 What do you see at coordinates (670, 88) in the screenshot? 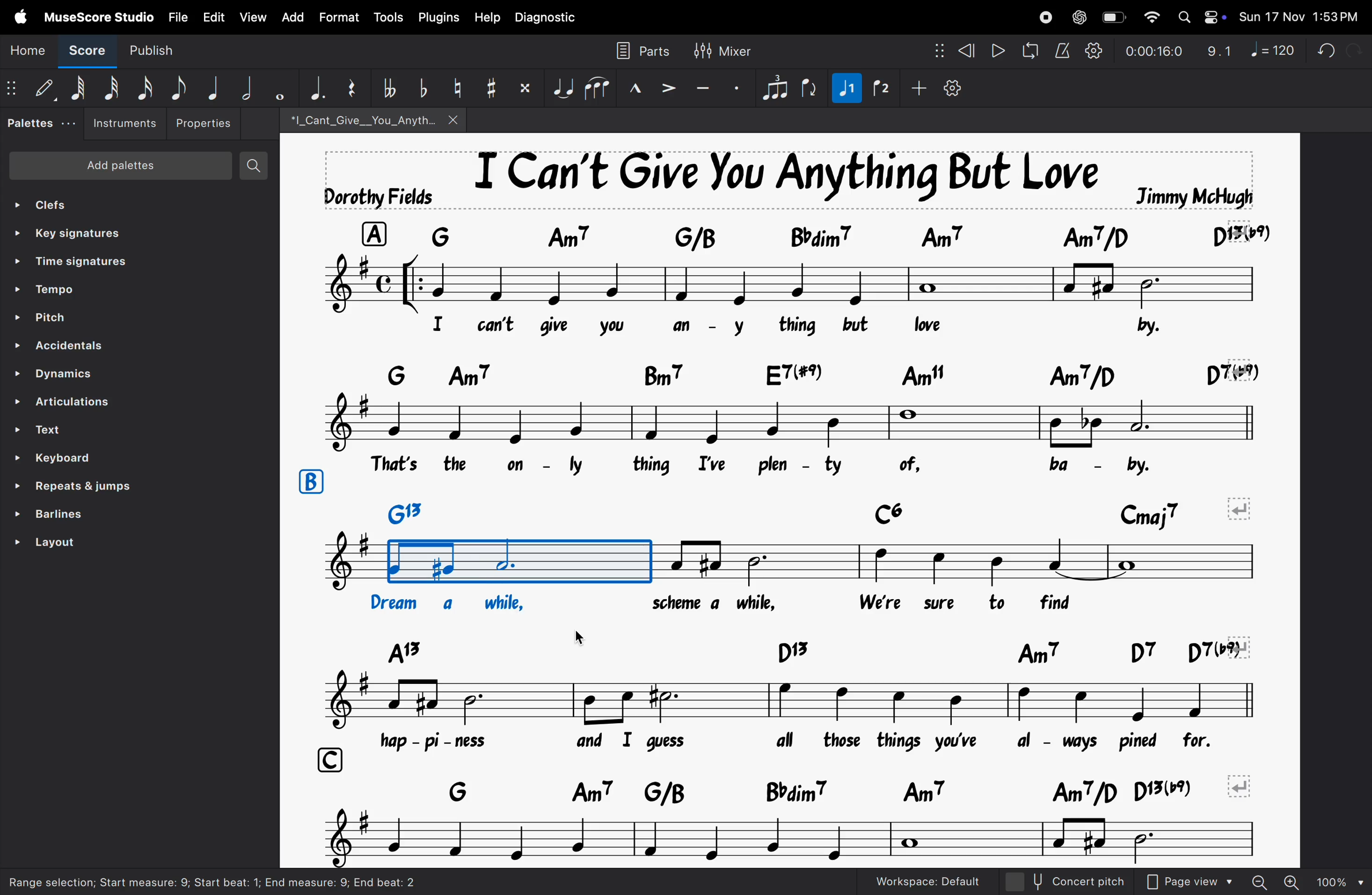
I see `accent` at bounding box center [670, 88].